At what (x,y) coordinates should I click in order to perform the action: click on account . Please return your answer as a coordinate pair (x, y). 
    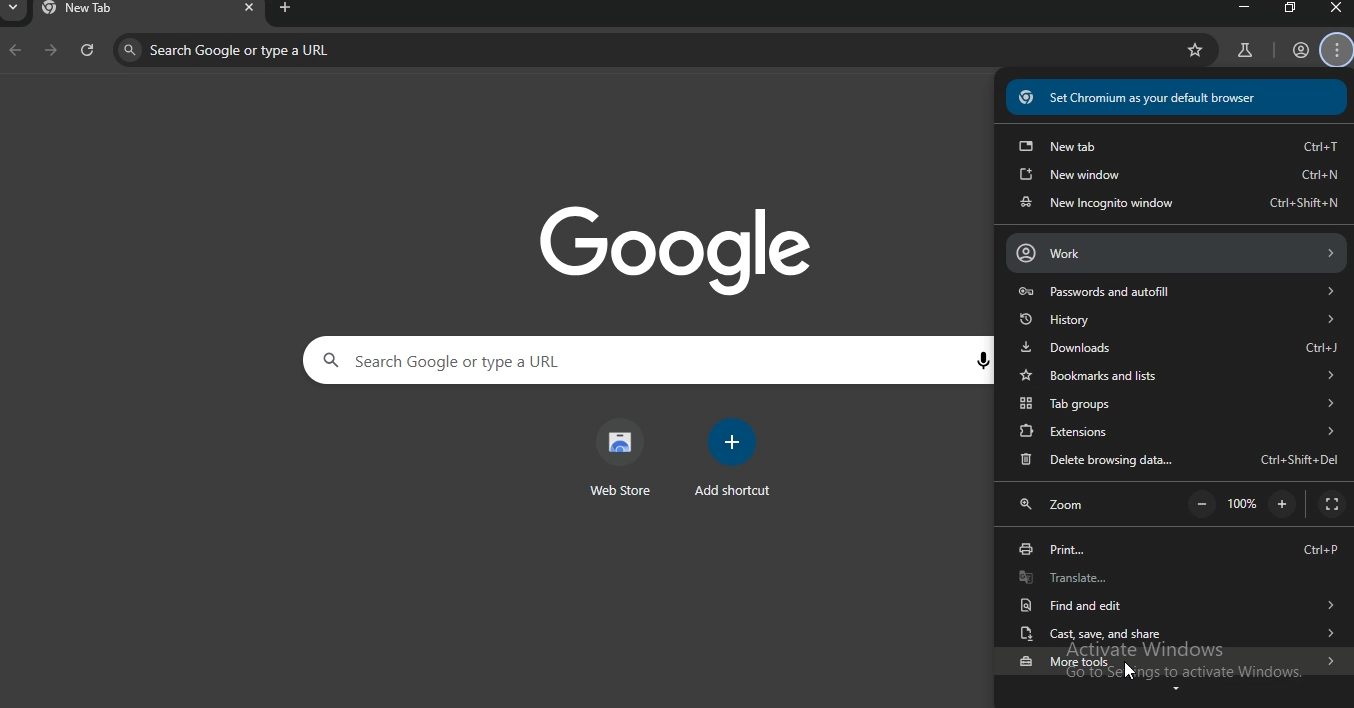
    Looking at the image, I should click on (1300, 52).